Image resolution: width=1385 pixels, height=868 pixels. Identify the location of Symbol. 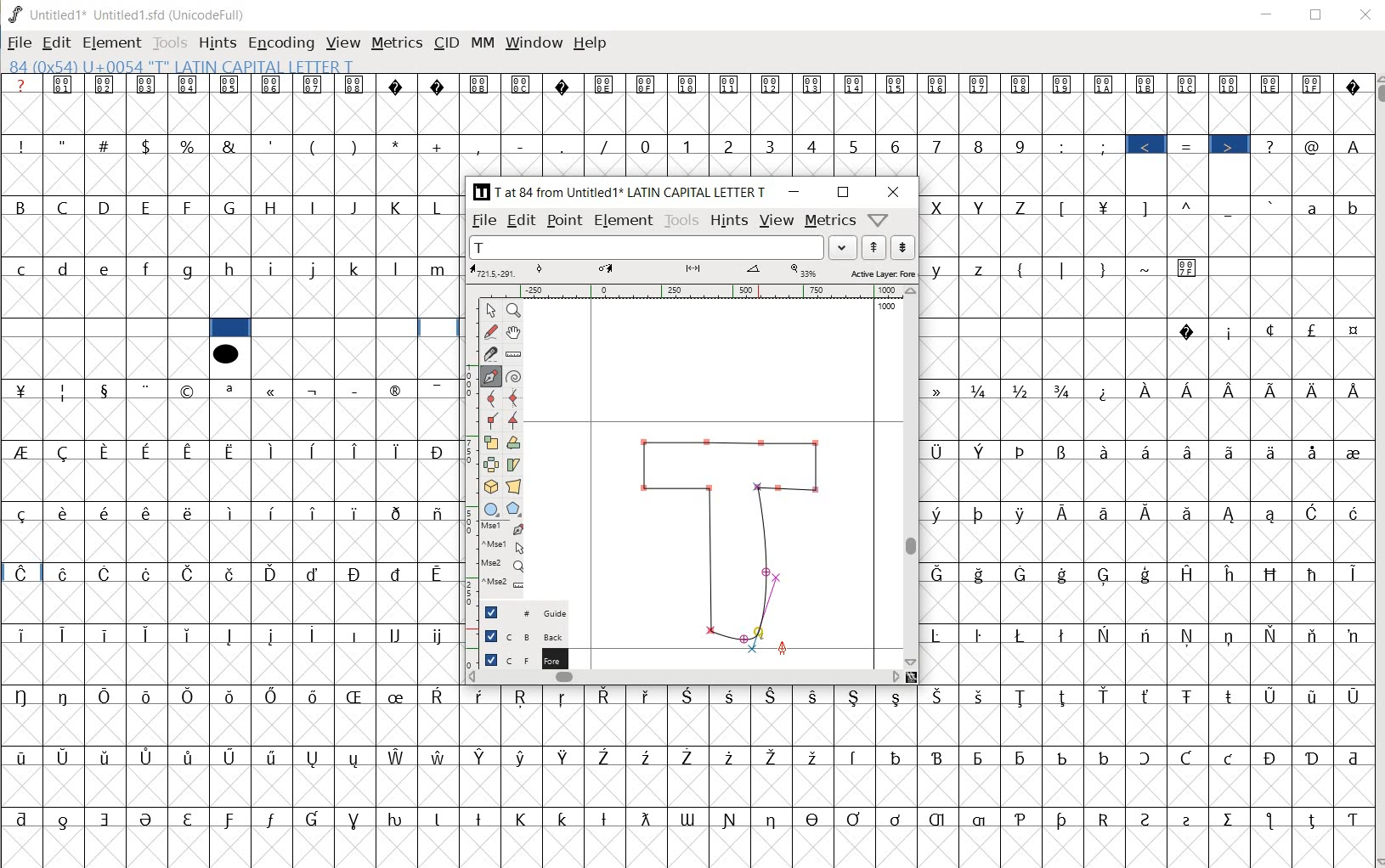
(565, 84).